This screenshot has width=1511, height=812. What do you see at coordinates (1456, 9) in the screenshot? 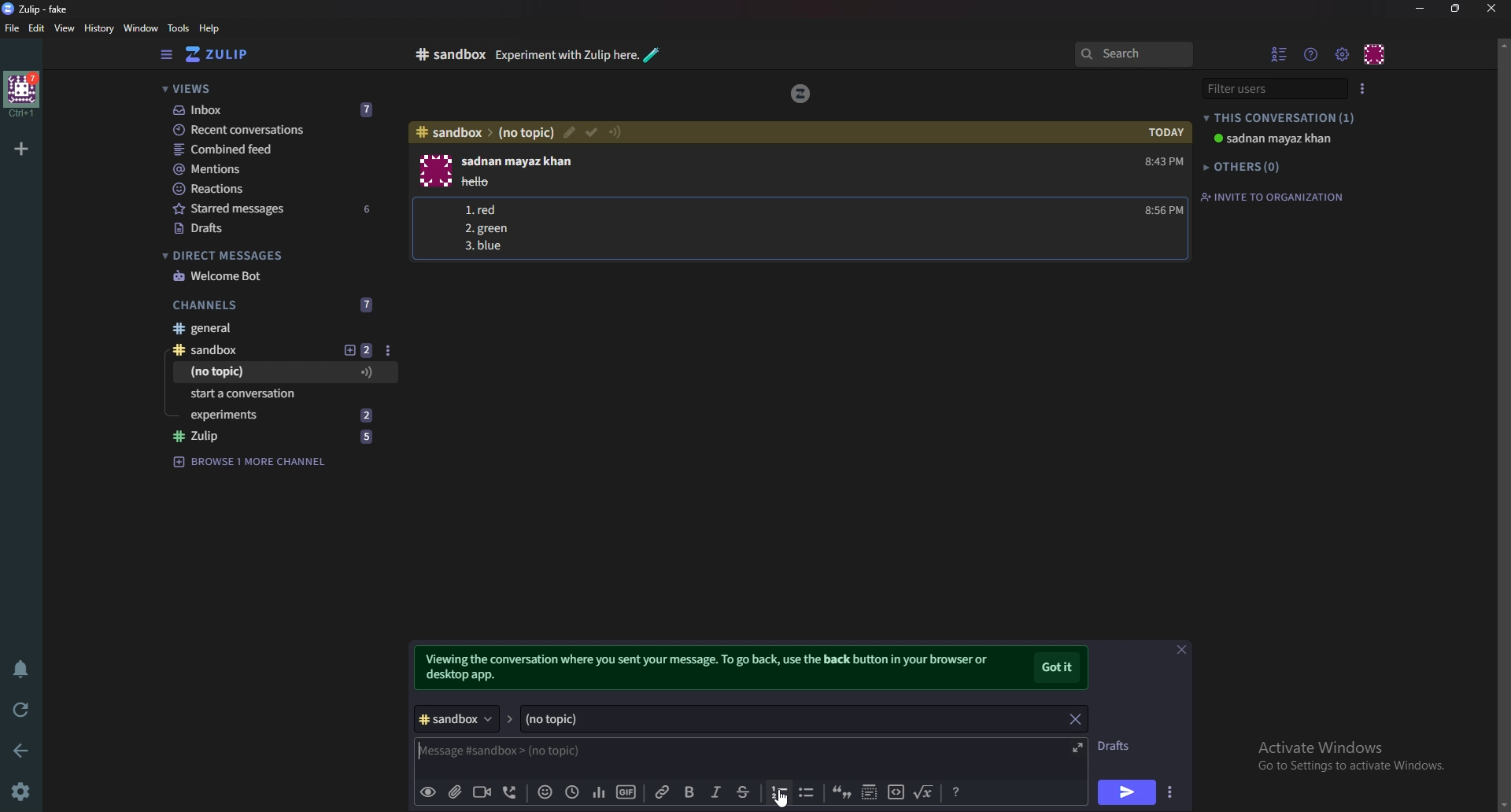
I see `Resize` at bounding box center [1456, 9].